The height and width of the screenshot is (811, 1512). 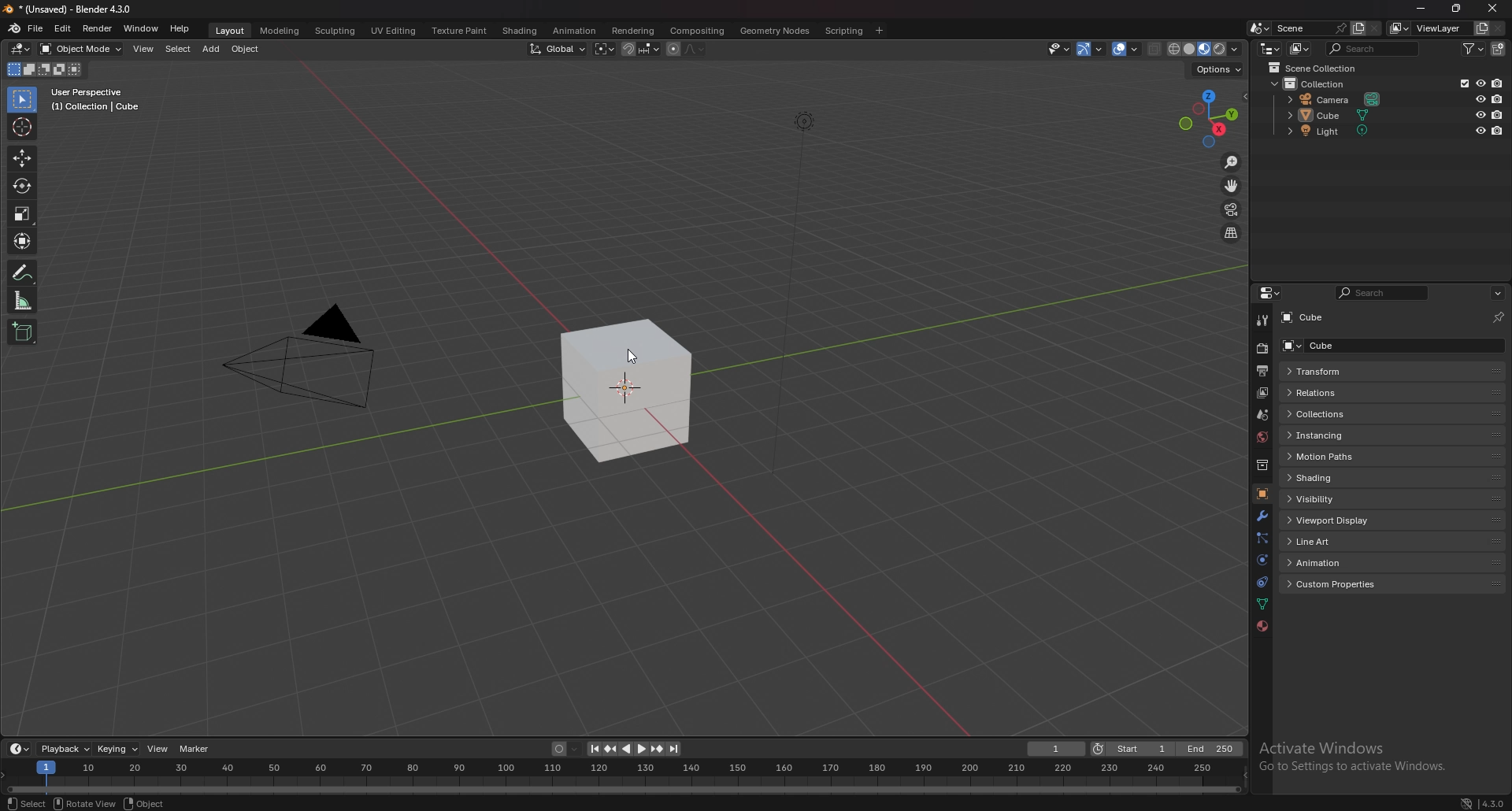 What do you see at coordinates (1328, 393) in the screenshot?
I see `relations` at bounding box center [1328, 393].